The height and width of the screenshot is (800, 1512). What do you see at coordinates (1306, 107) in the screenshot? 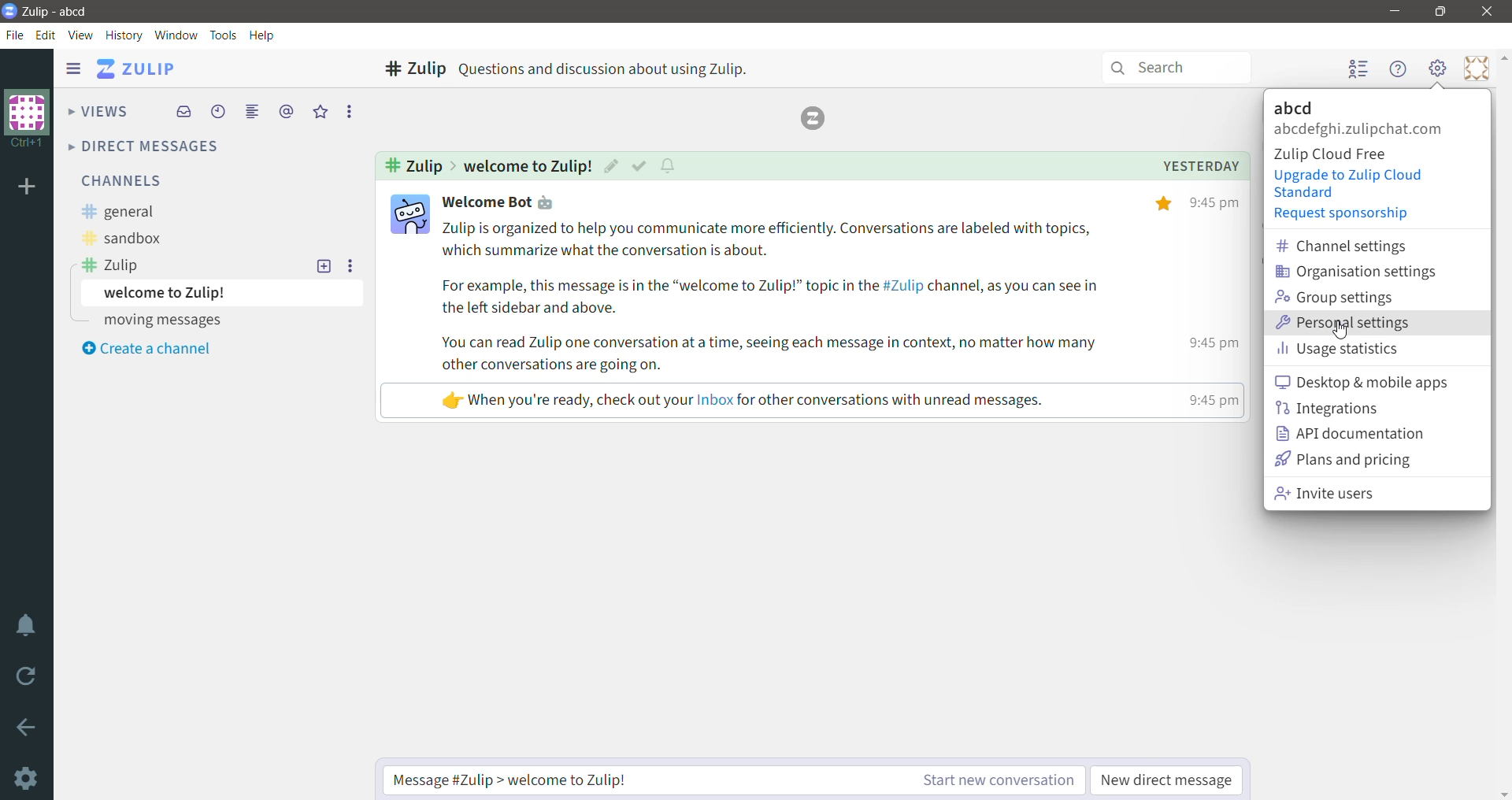
I see `Organization` at bounding box center [1306, 107].